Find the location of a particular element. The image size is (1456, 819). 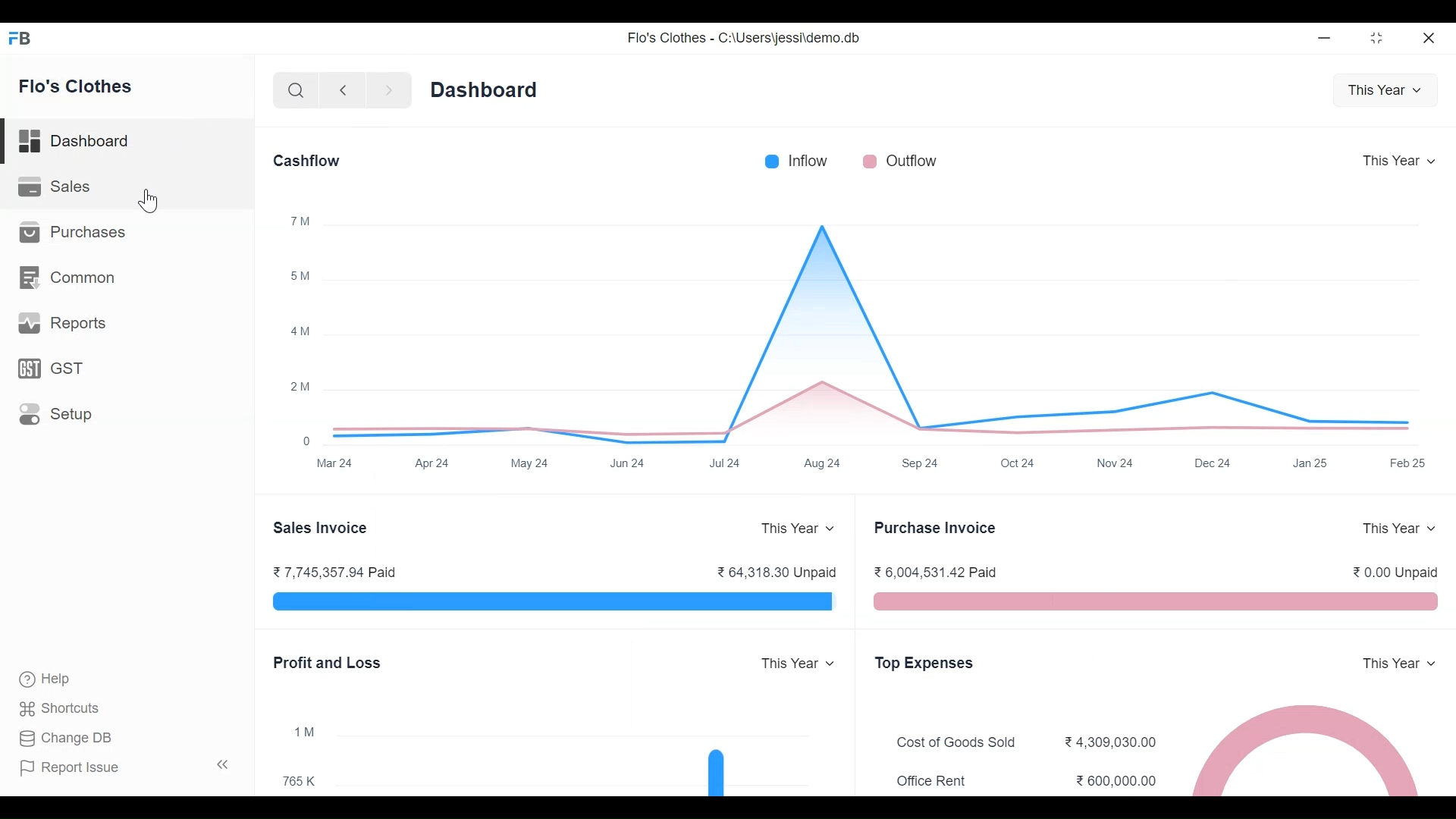

Mar 24 is located at coordinates (334, 464).